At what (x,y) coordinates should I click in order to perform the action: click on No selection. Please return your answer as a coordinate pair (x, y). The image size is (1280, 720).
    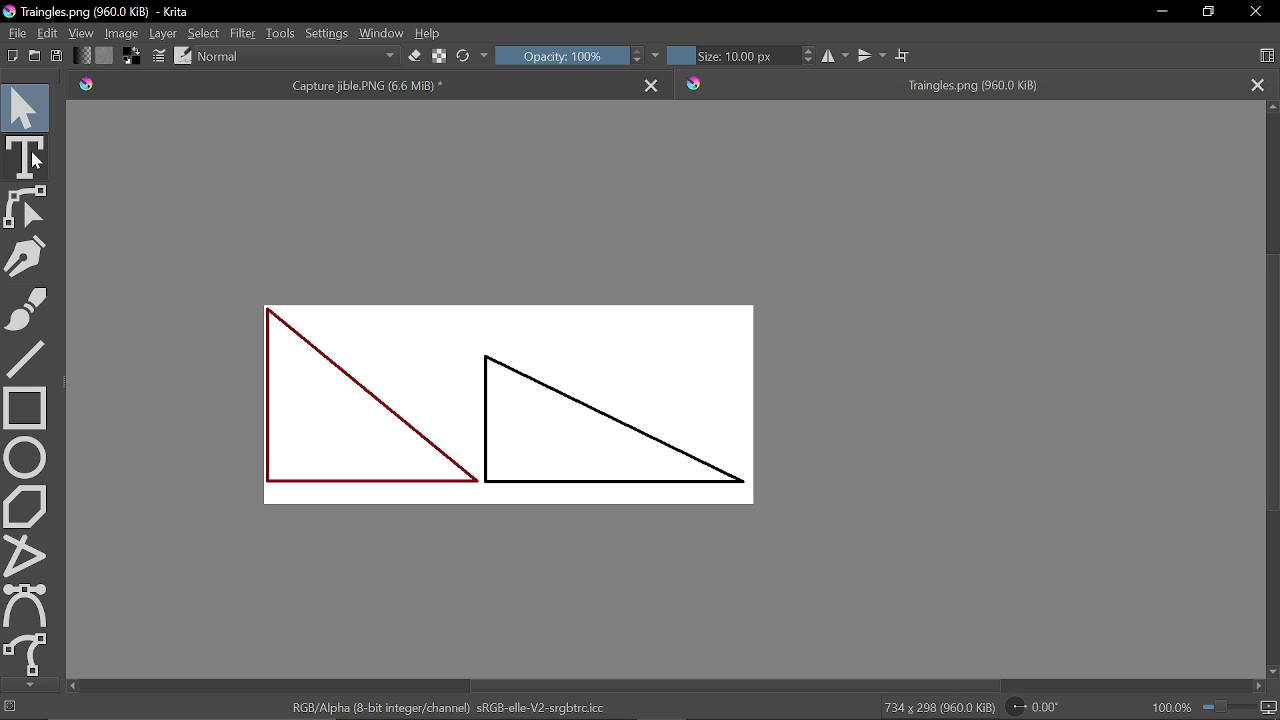
    Looking at the image, I should click on (8, 708).